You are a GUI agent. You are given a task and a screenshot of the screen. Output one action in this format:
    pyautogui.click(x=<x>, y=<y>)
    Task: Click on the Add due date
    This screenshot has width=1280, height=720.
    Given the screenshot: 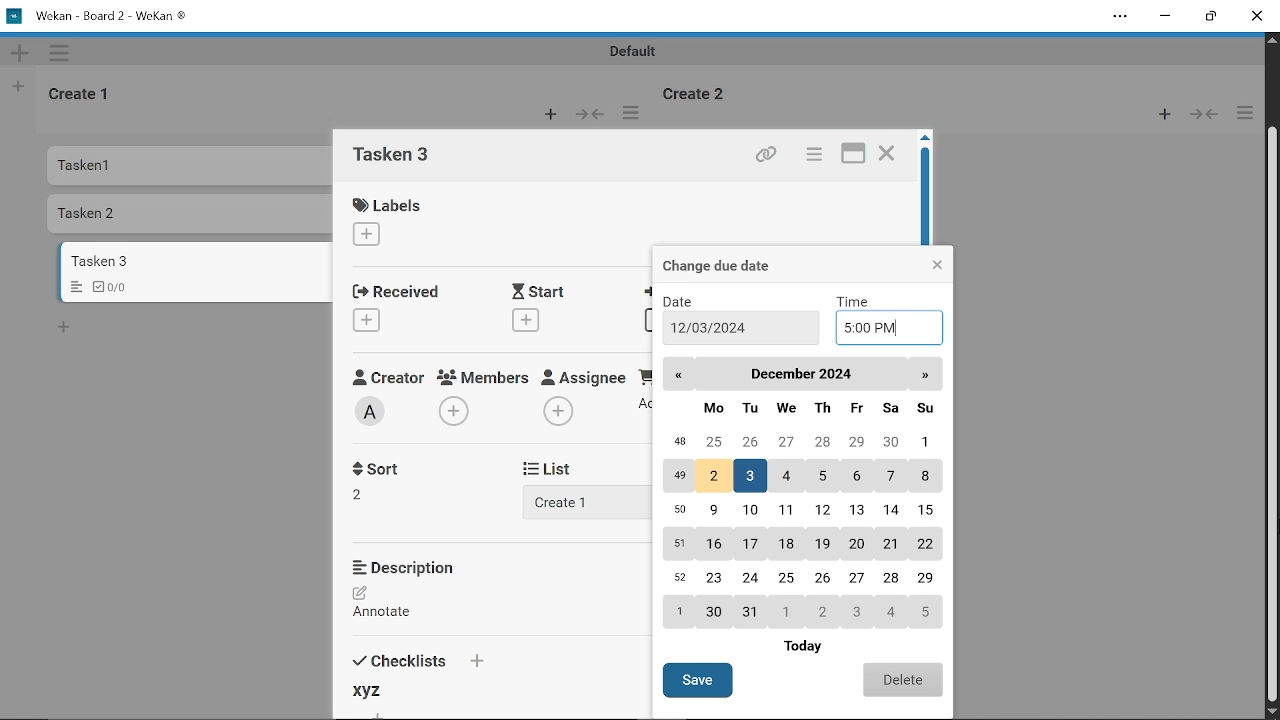 What is the action you would take?
    pyautogui.click(x=650, y=321)
    